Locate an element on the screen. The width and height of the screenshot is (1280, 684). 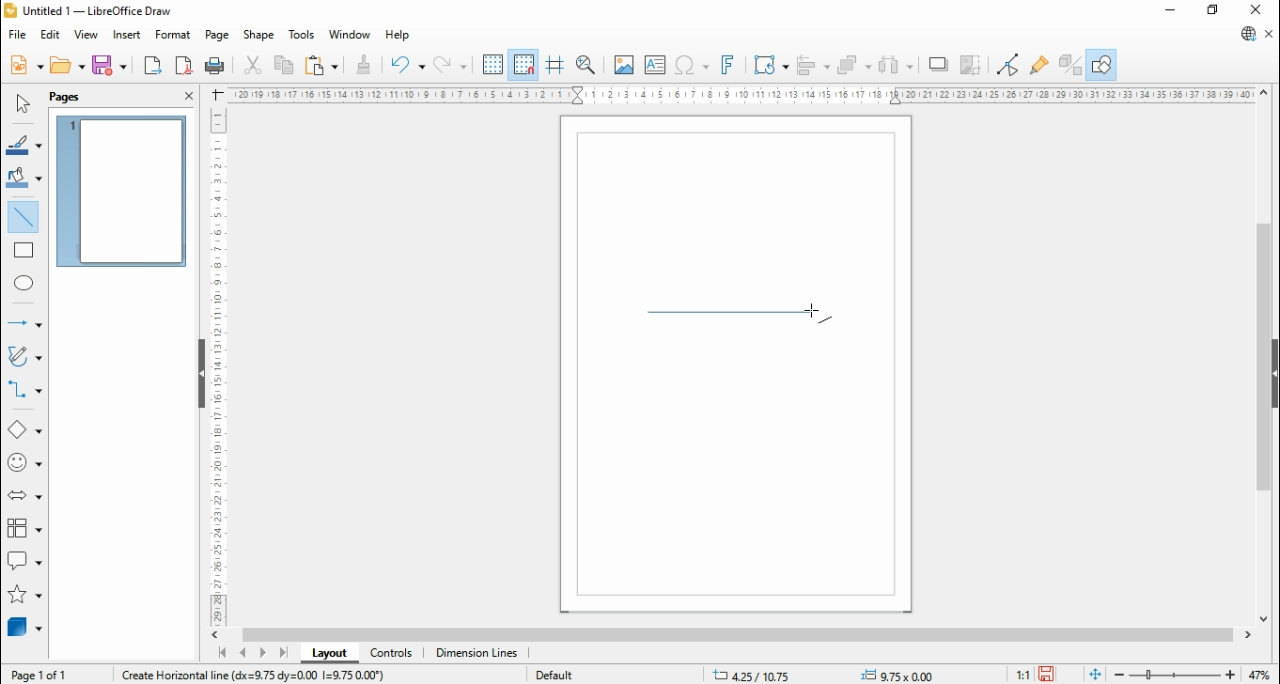
transformations is located at coordinates (770, 64).